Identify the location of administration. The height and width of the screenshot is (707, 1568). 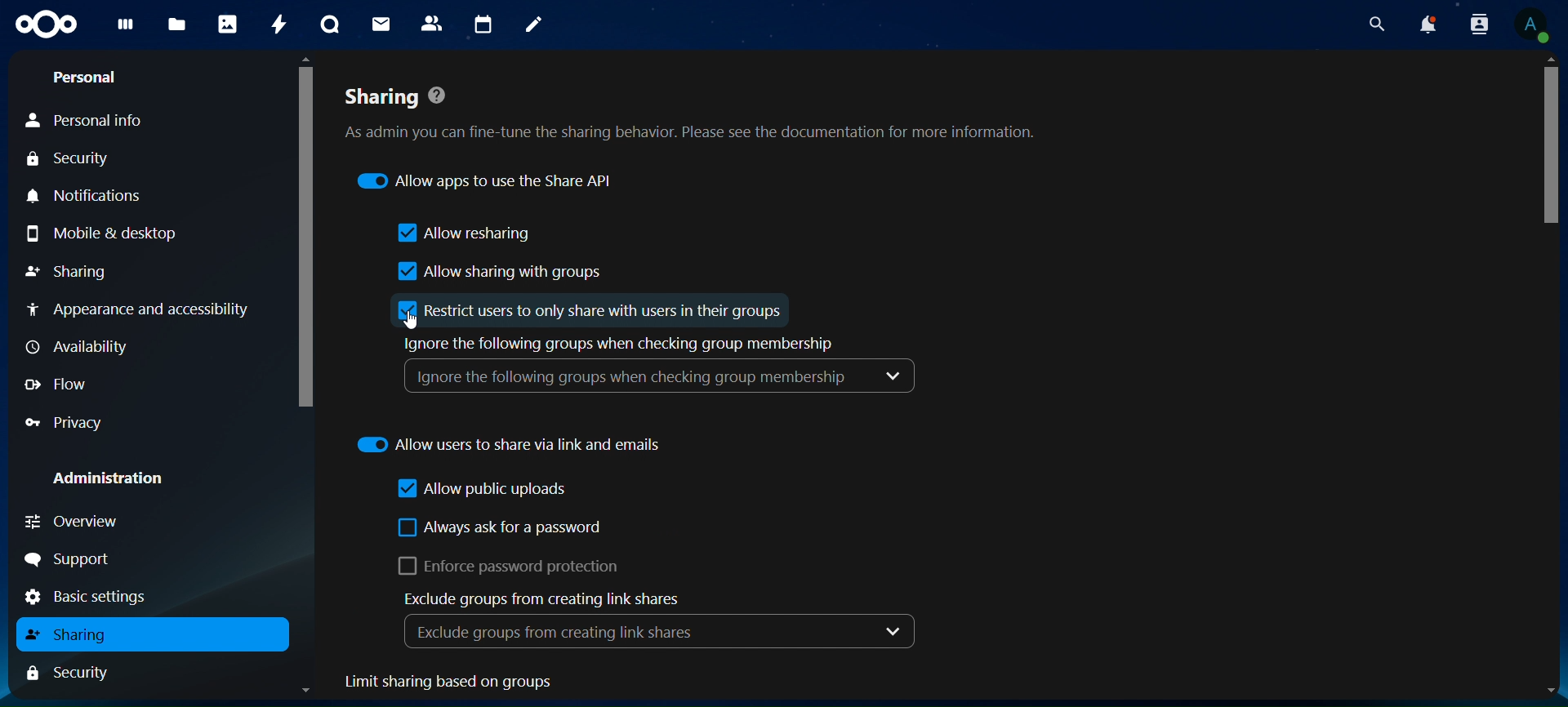
(106, 478).